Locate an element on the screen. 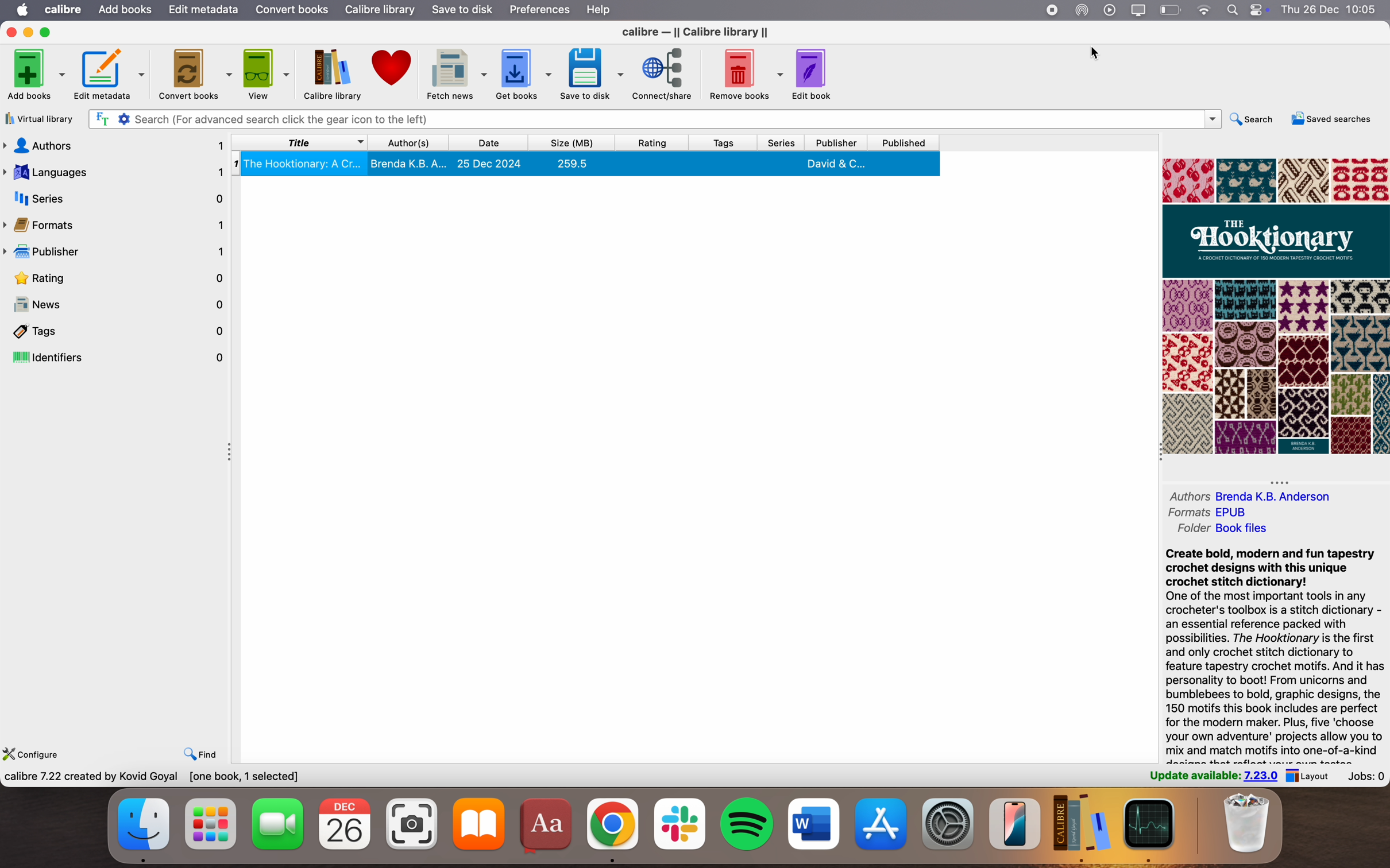 This screenshot has height=868, width=1390. Apple icon is located at coordinates (25, 9).